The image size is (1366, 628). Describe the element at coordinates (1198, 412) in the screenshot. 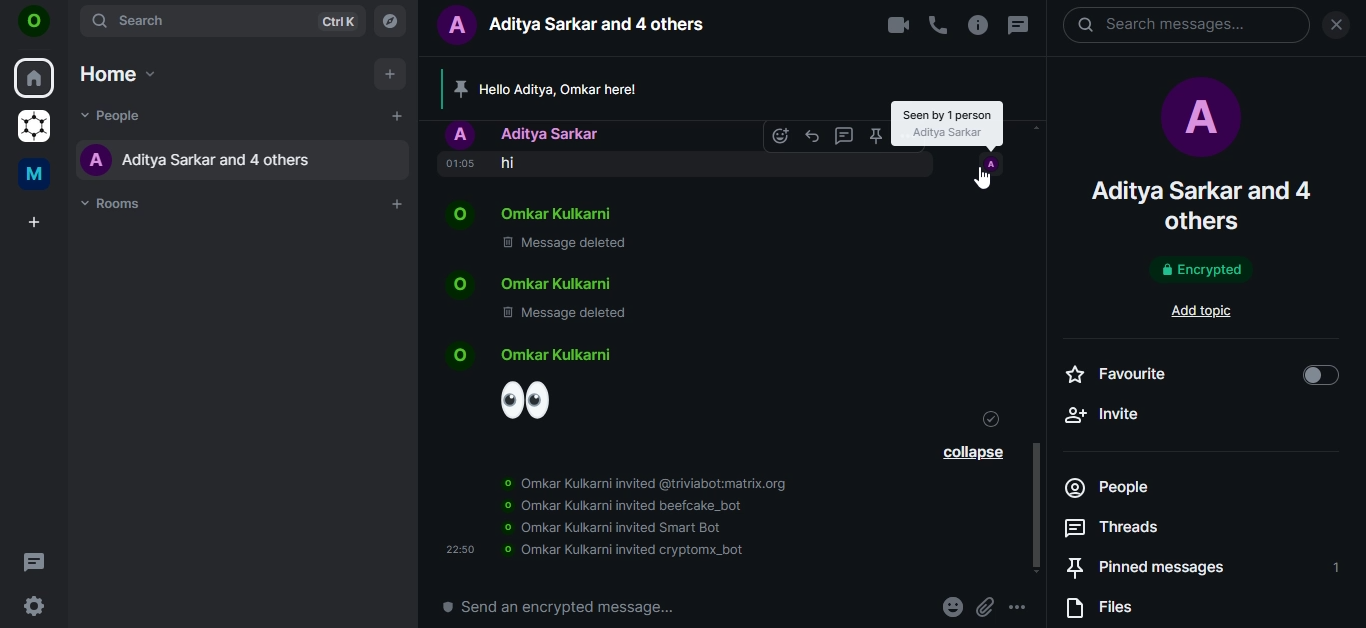

I see `invite` at that location.